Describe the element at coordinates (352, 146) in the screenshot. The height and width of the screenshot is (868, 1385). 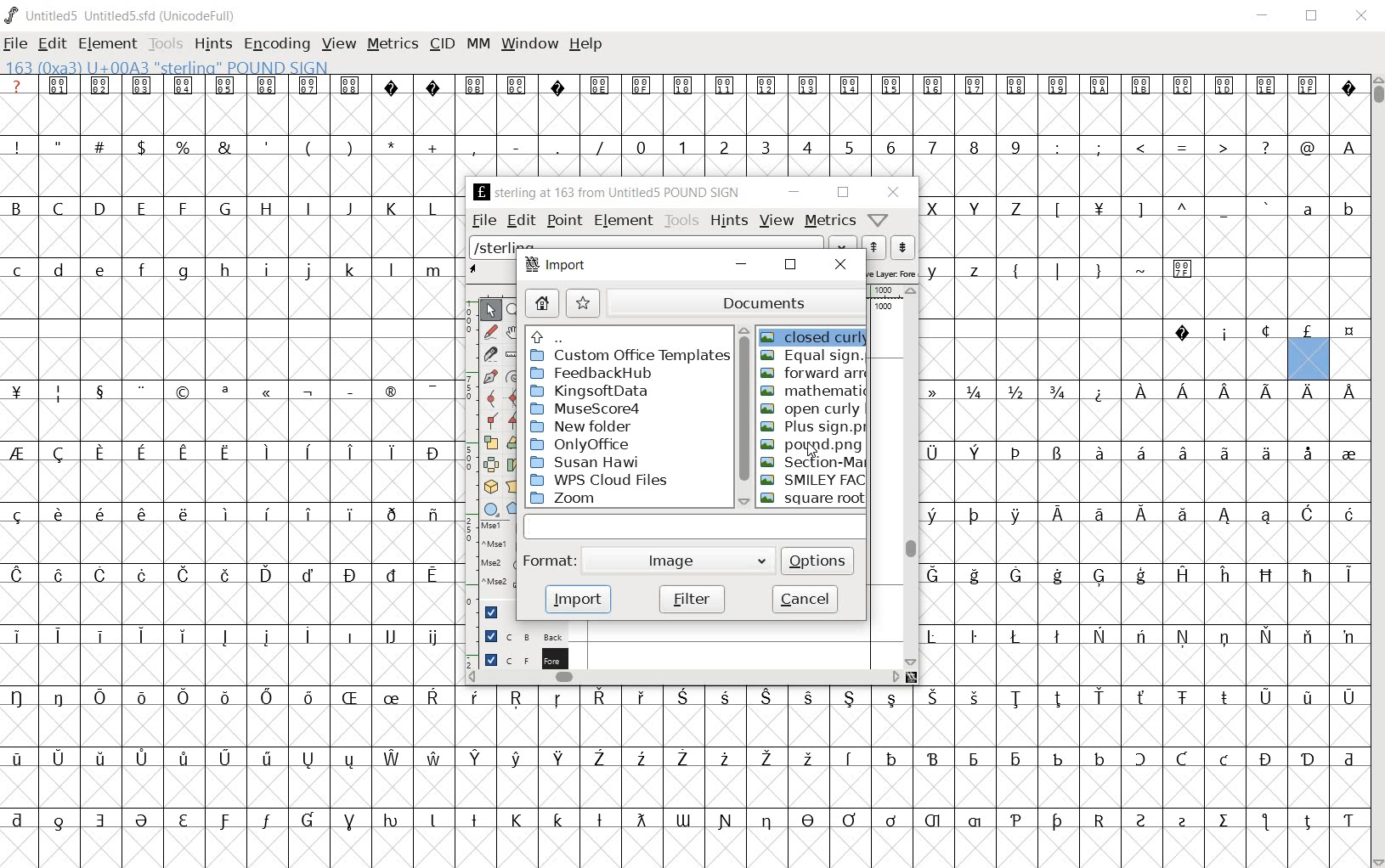
I see `)` at that location.